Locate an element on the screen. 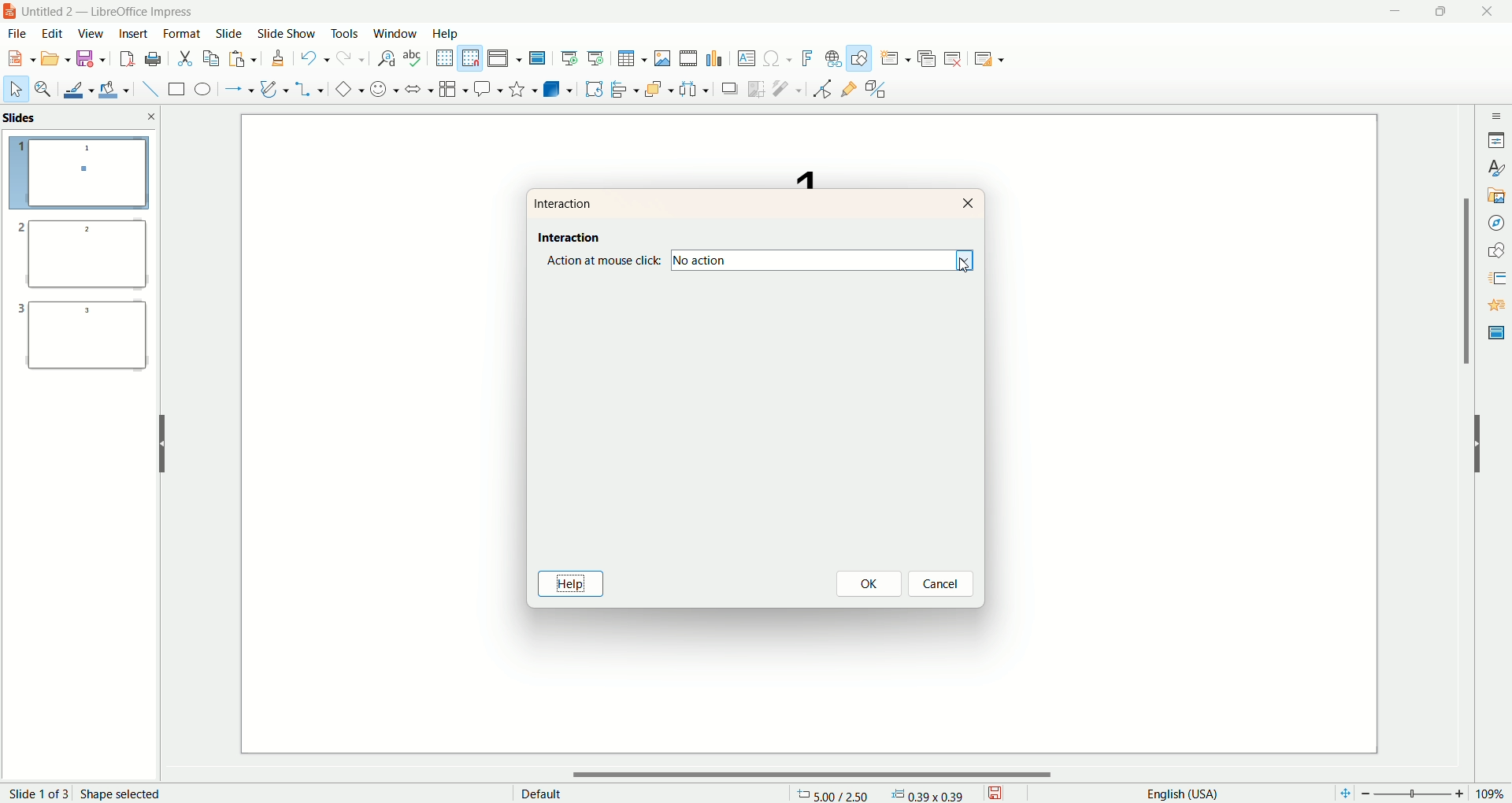 The image size is (1512, 803). crop image is located at coordinates (757, 88).